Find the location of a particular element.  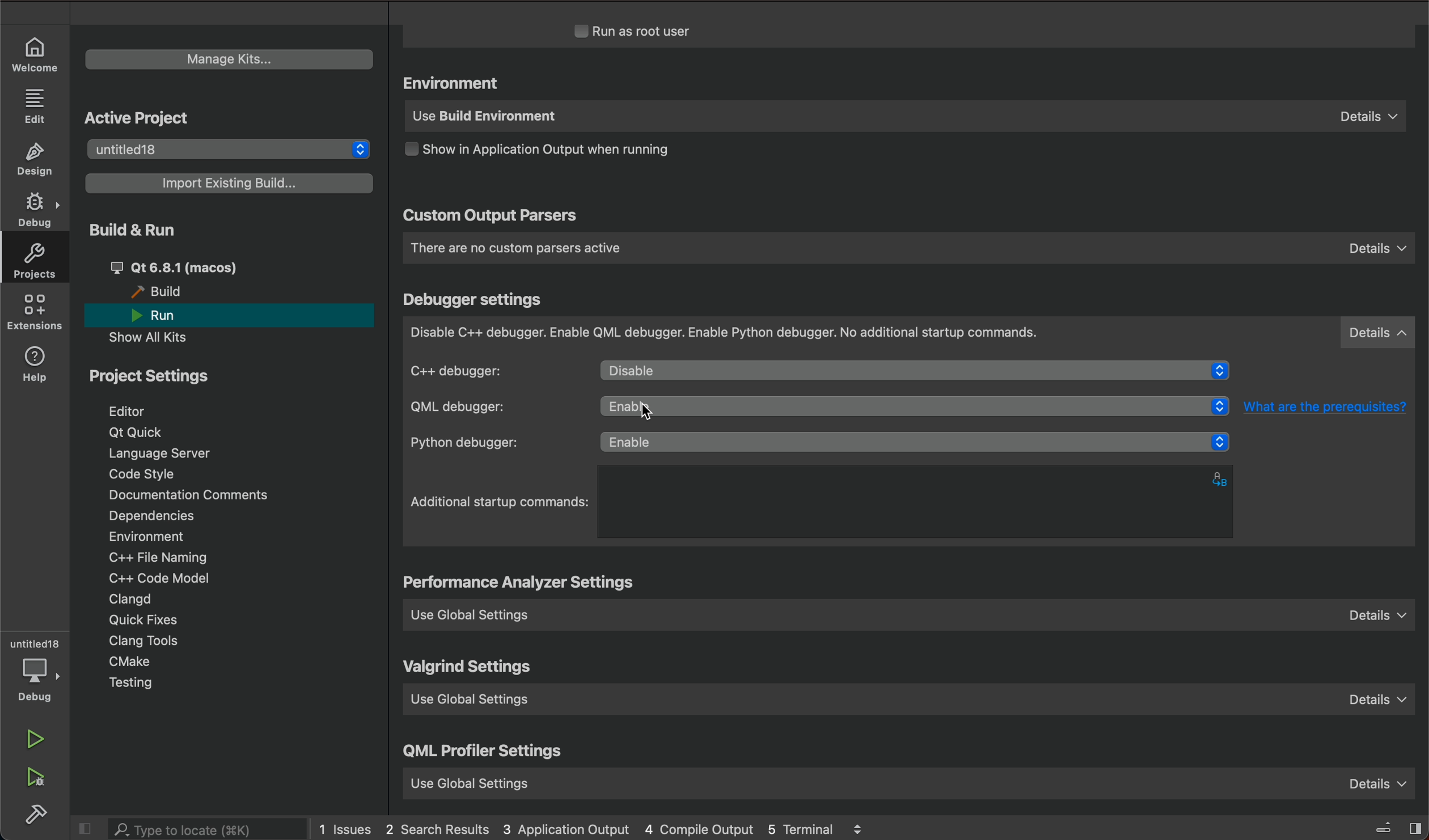

valgrind is located at coordinates (470, 668).